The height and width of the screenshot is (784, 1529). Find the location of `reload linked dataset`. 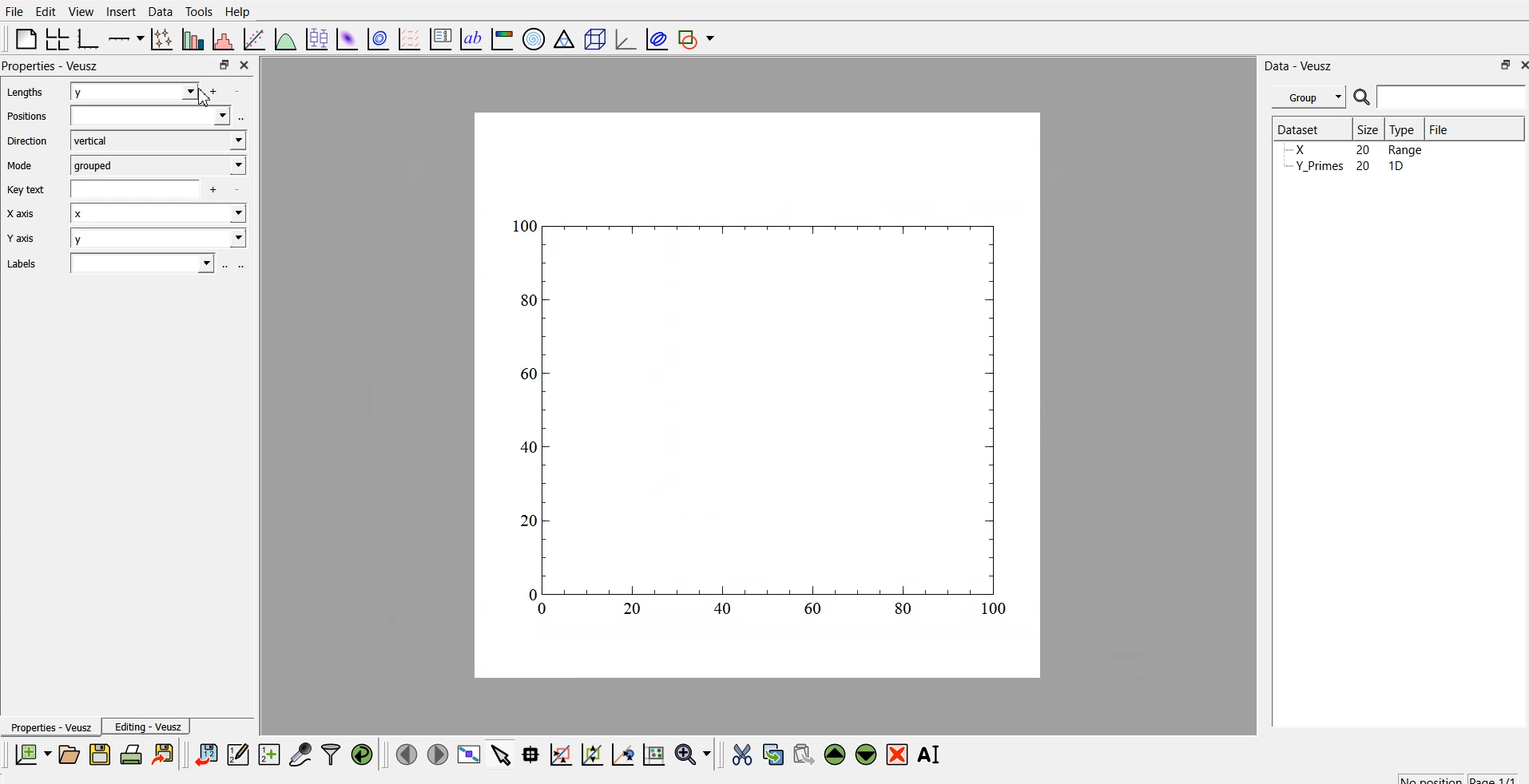

reload linked dataset is located at coordinates (362, 752).